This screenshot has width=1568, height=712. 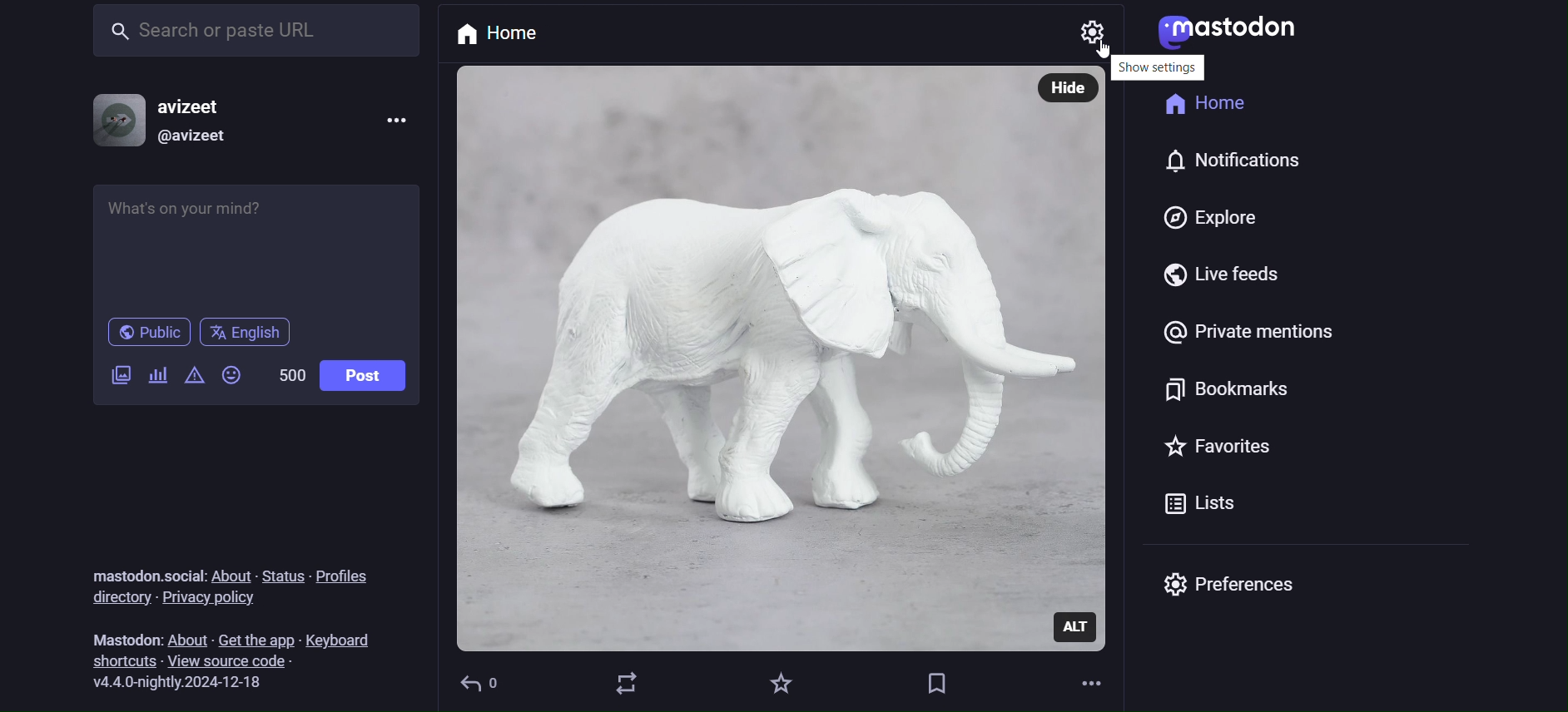 I want to click on Favorites, so click(x=1216, y=452).